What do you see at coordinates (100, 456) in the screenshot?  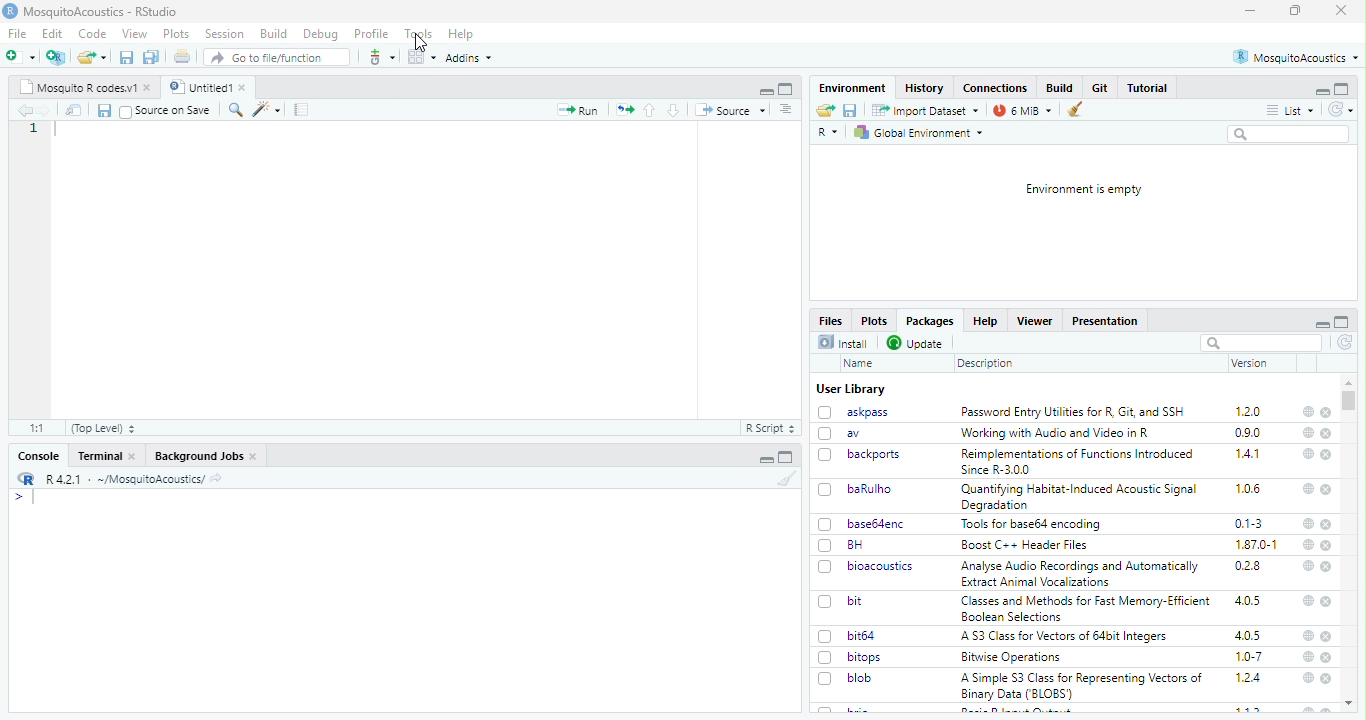 I see `Terminal` at bounding box center [100, 456].